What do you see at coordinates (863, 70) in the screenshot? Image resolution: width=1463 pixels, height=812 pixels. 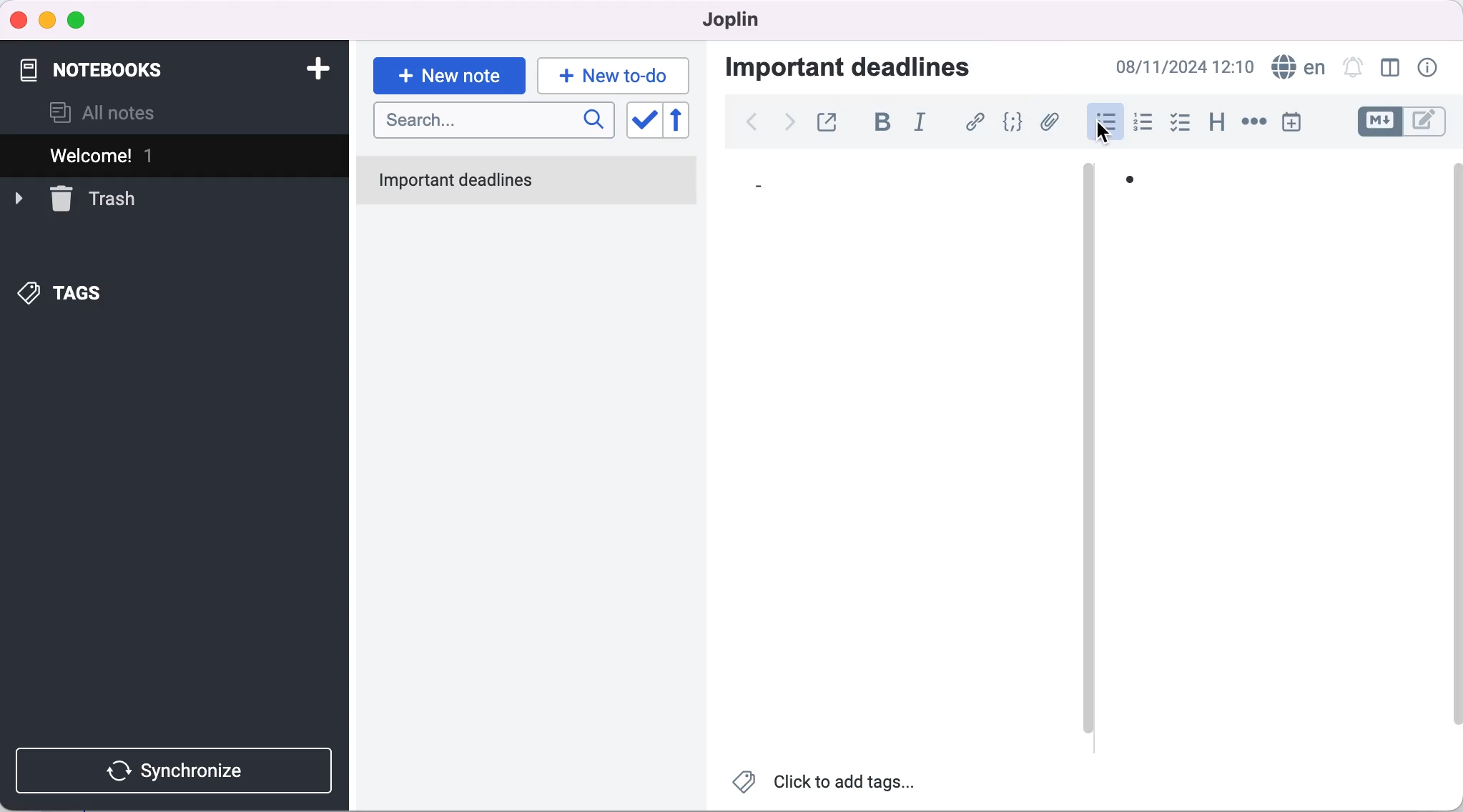 I see `important deadlines` at bounding box center [863, 70].